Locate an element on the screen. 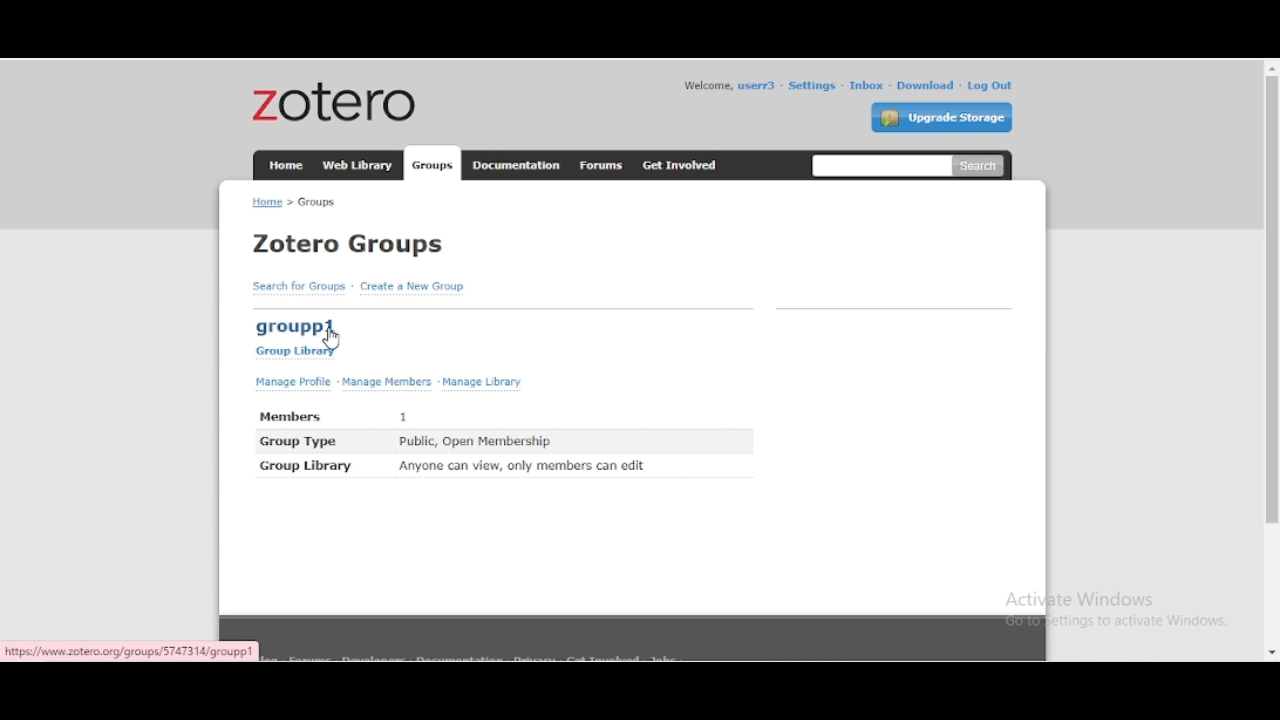 The width and height of the screenshot is (1280, 720). profile is located at coordinates (758, 85).